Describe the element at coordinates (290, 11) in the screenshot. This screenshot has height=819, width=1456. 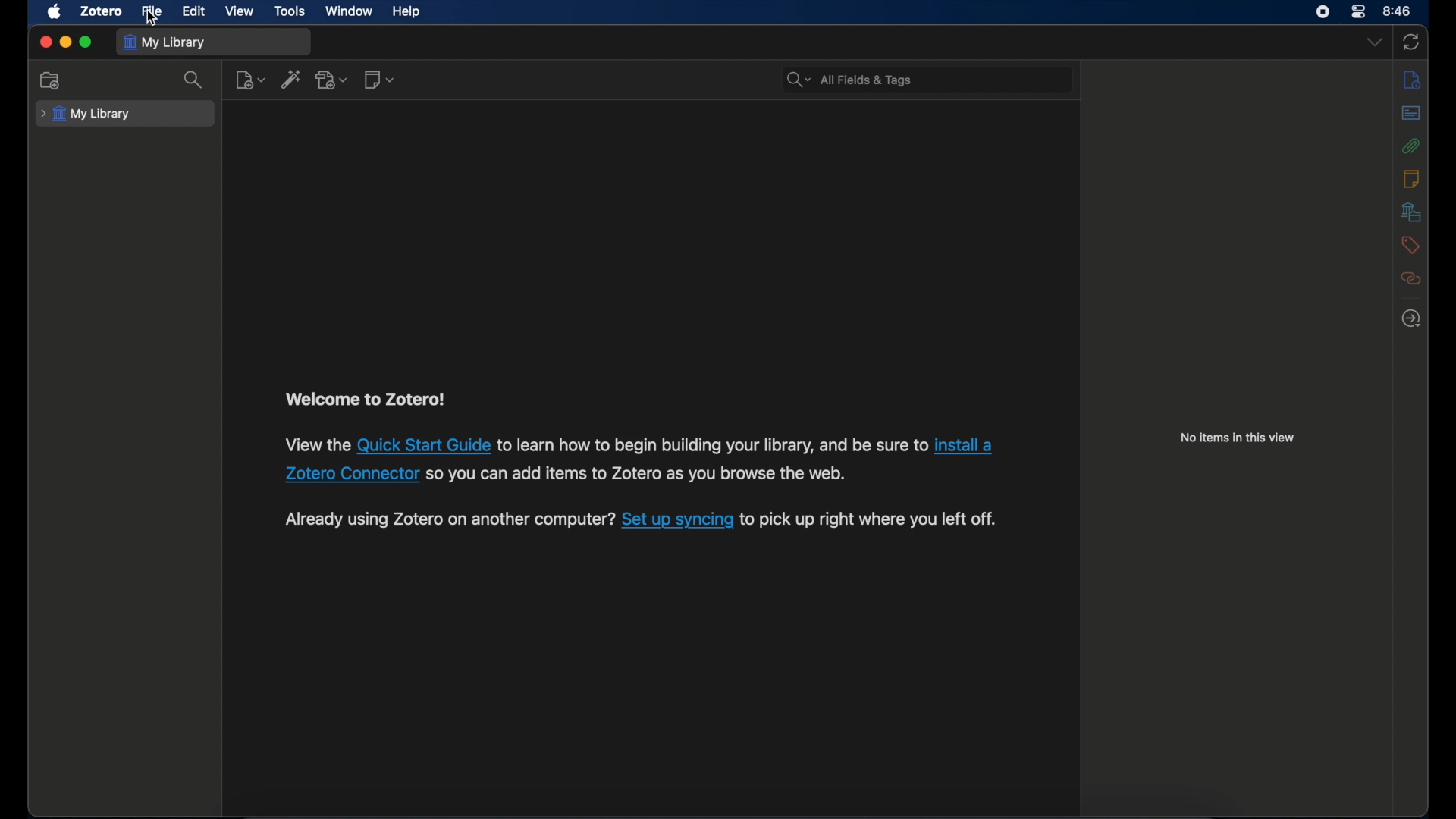
I see `tools` at that location.